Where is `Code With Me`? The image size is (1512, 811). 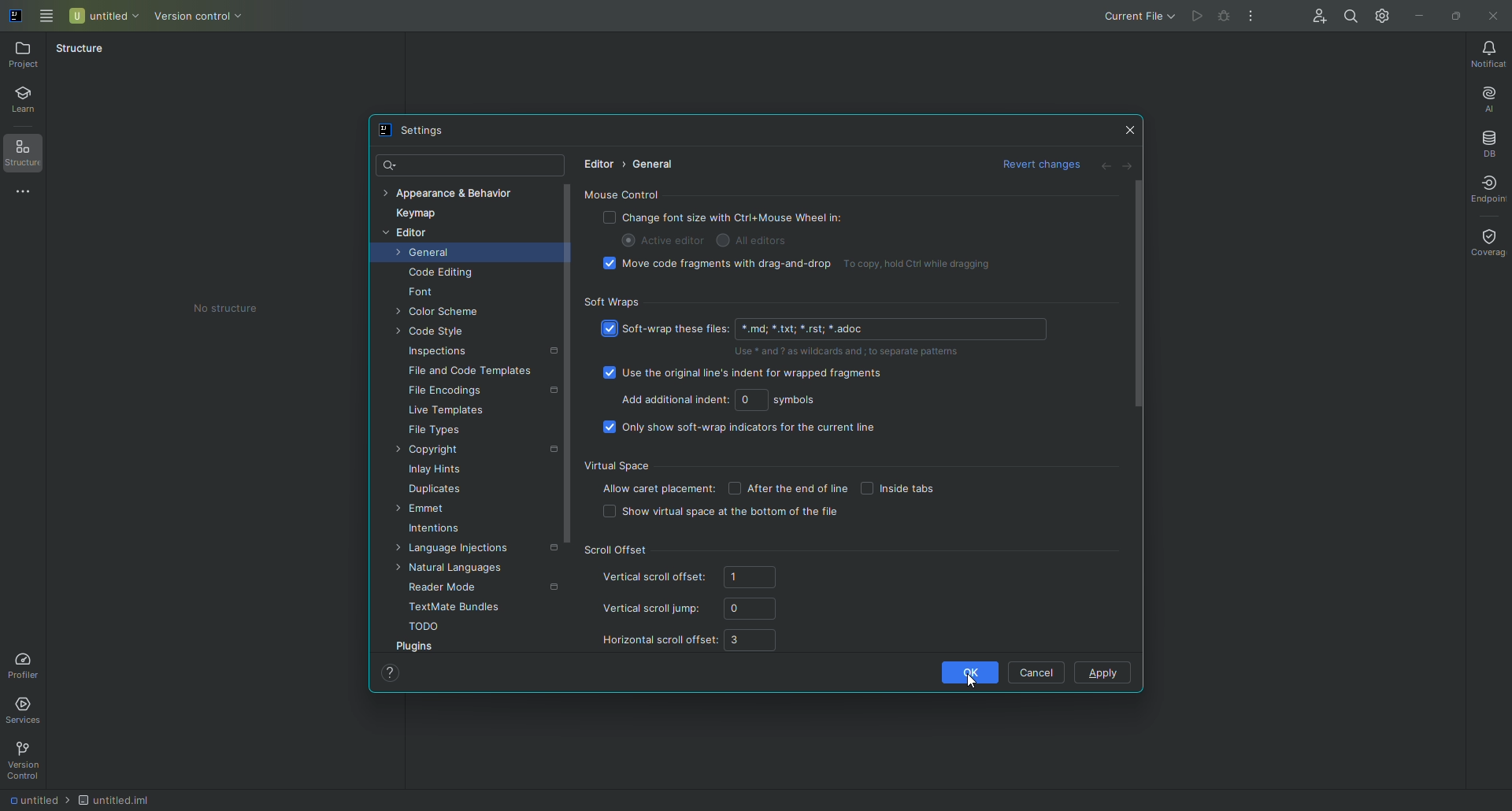
Code With Me is located at coordinates (1318, 17).